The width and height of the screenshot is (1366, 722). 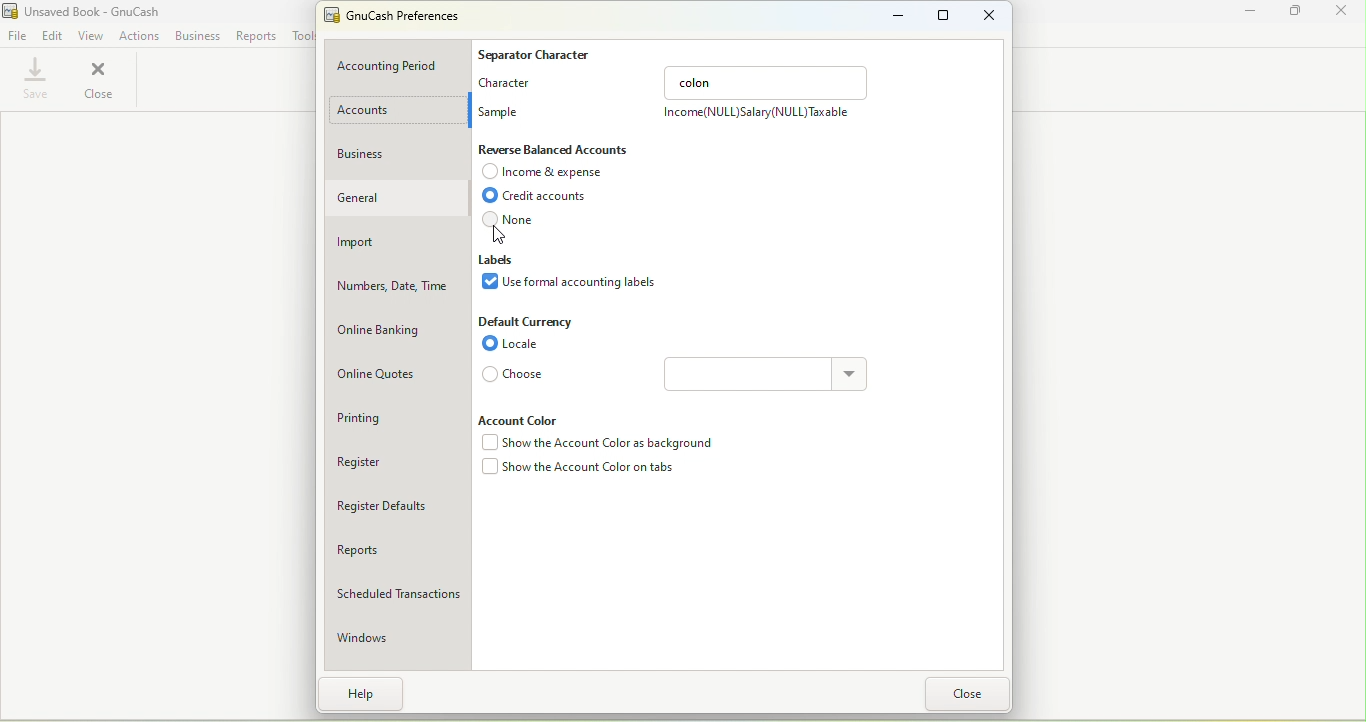 What do you see at coordinates (397, 199) in the screenshot?
I see `General` at bounding box center [397, 199].